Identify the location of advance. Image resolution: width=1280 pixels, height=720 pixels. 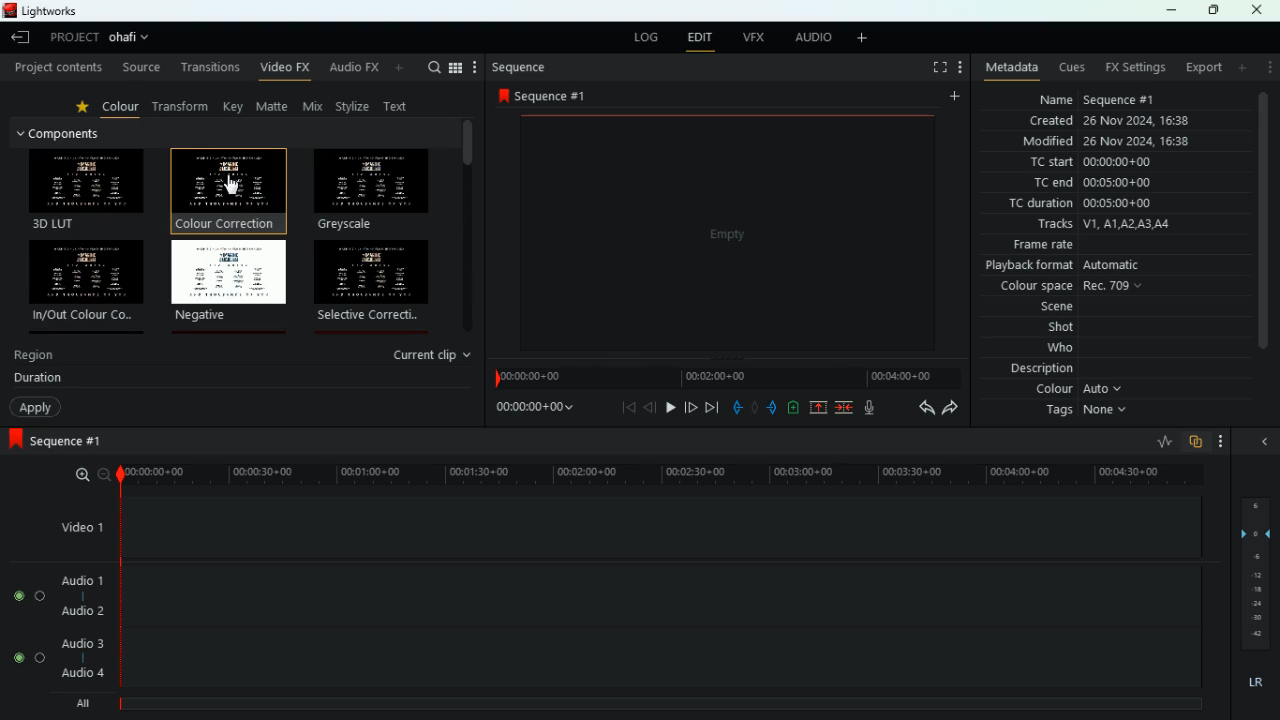
(691, 407).